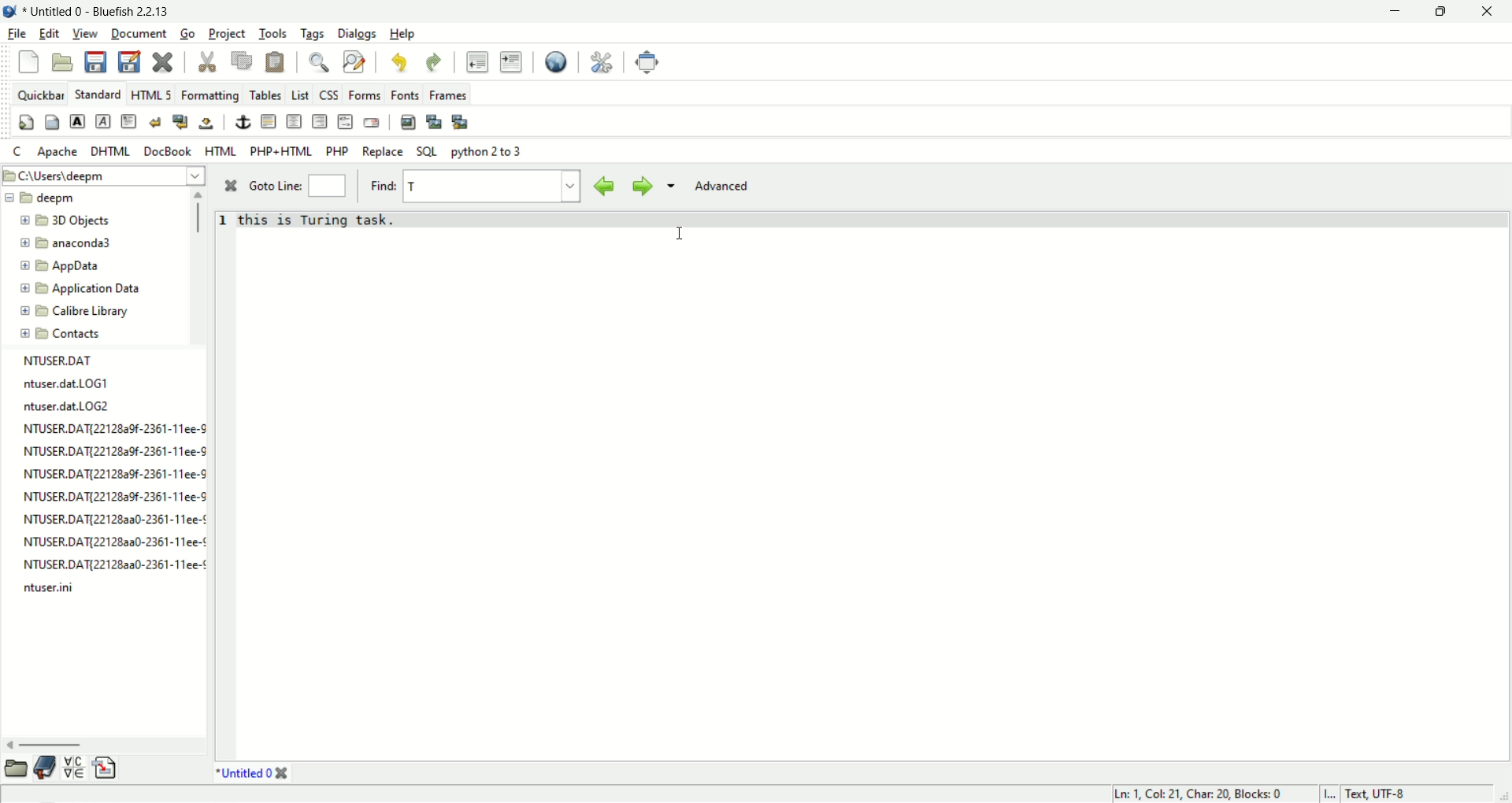  What do you see at coordinates (384, 184) in the screenshot?
I see `find:` at bounding box center [384, 184].